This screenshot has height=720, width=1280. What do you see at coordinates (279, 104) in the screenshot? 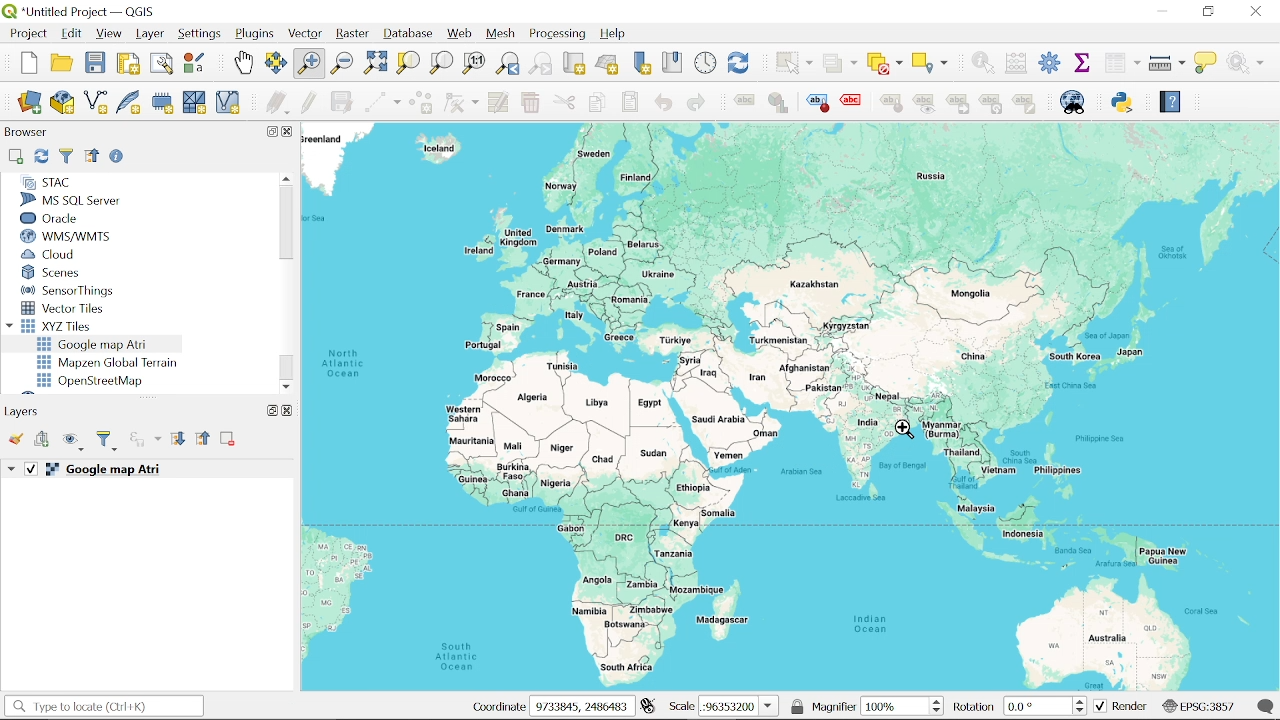
I see `Current edits` at bounding box center [279, 104].